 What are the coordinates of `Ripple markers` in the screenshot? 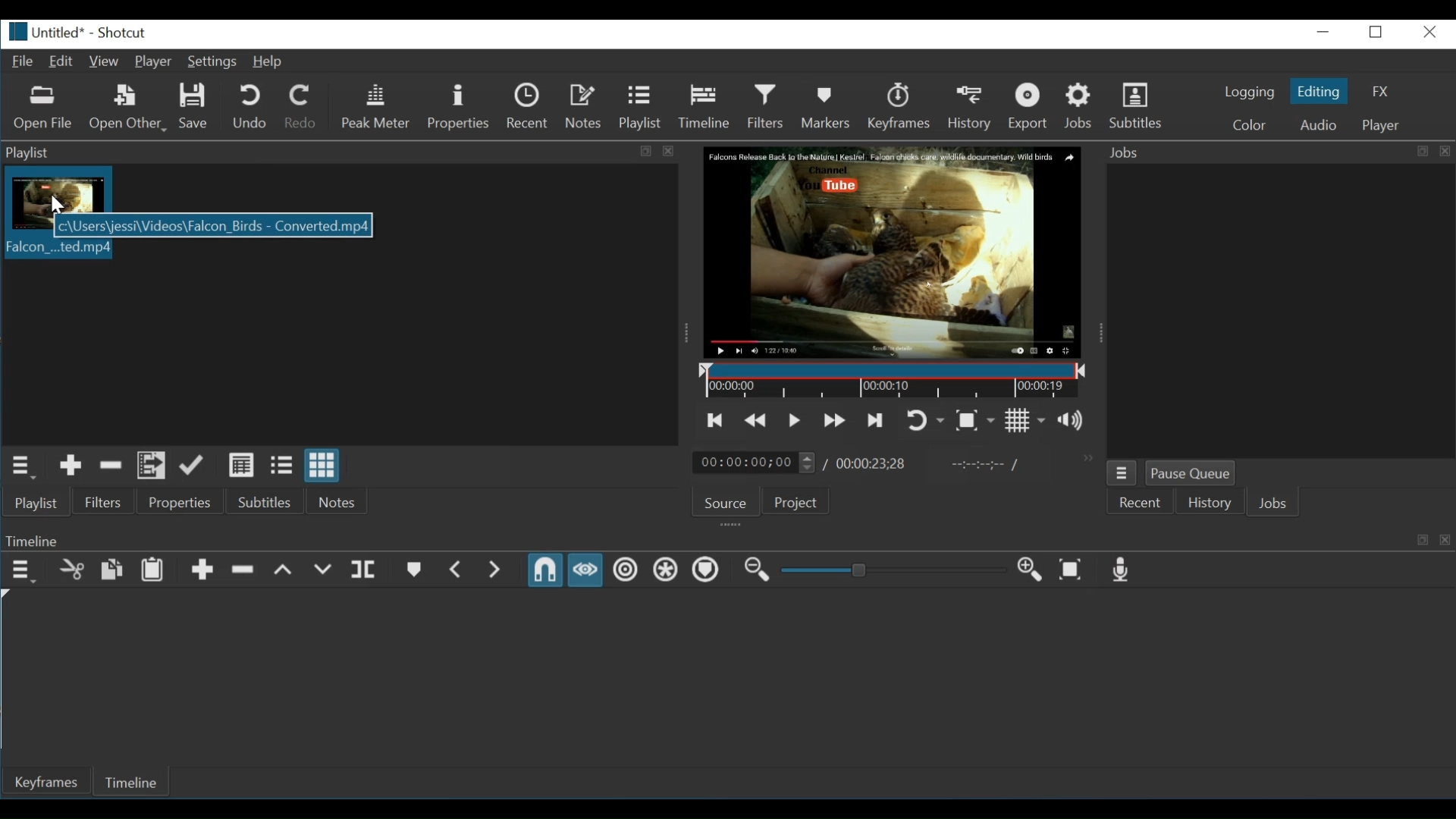 It's located at (704, 570).